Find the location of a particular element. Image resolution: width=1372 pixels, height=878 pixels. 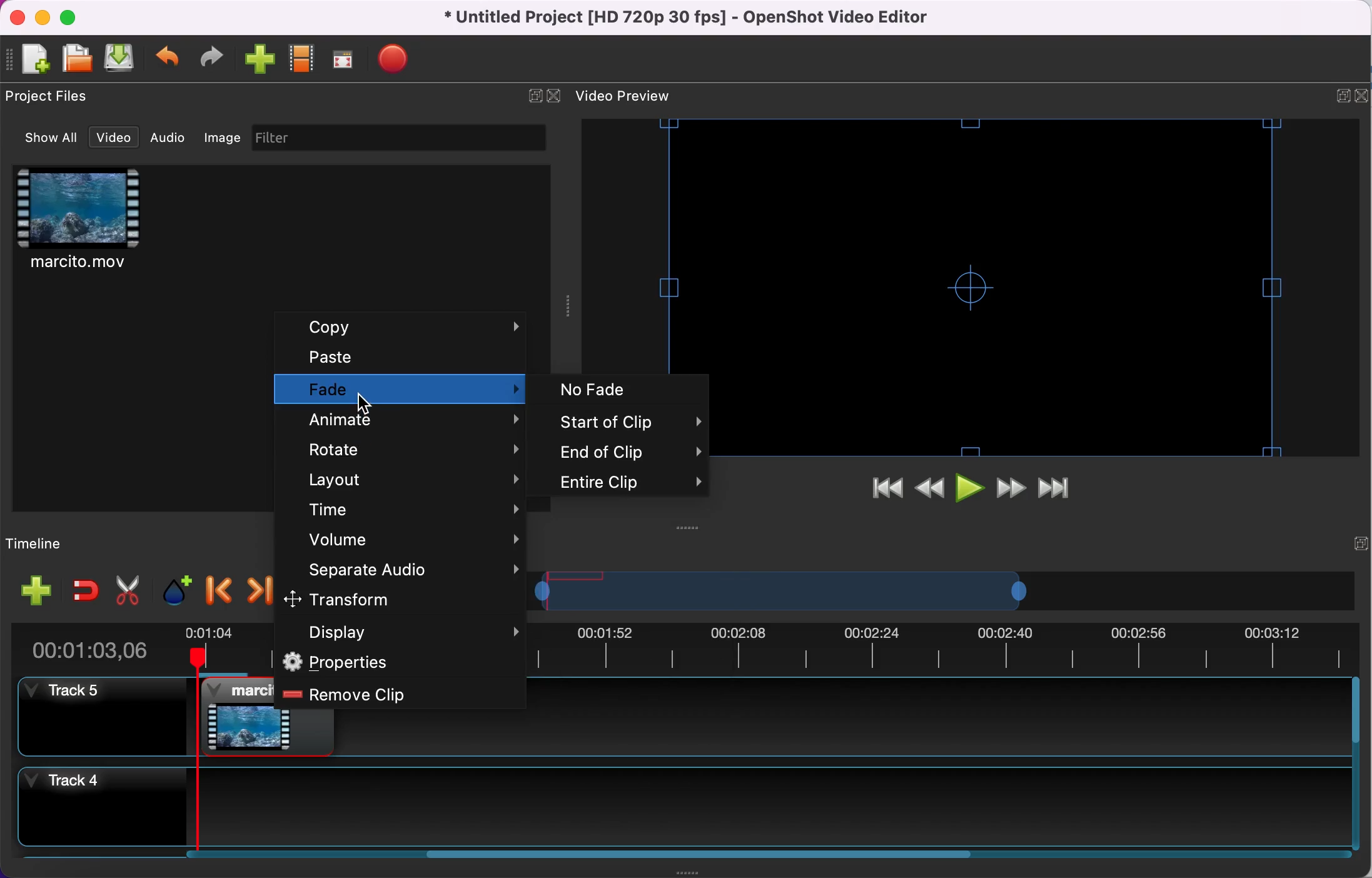

video preview is located at coordinates (1009, 288).